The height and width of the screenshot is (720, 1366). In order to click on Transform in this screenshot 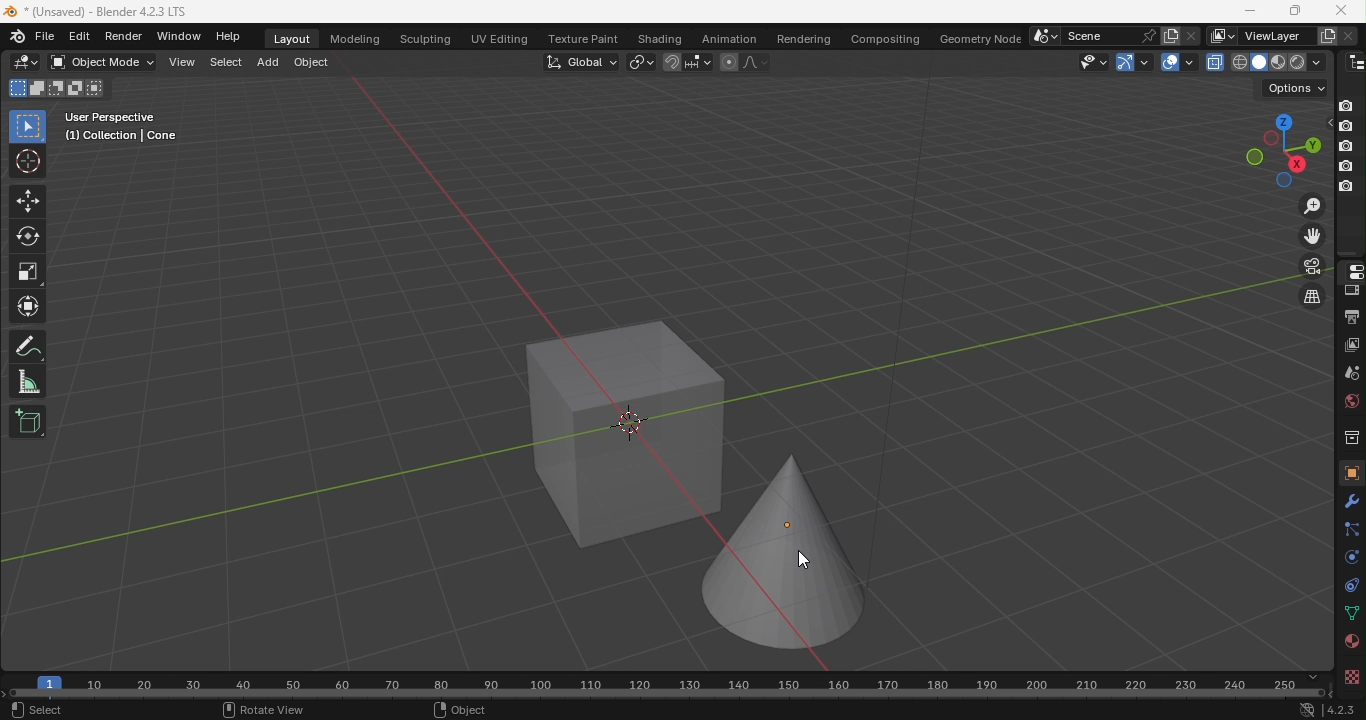, I will do `click(28, 309)`.